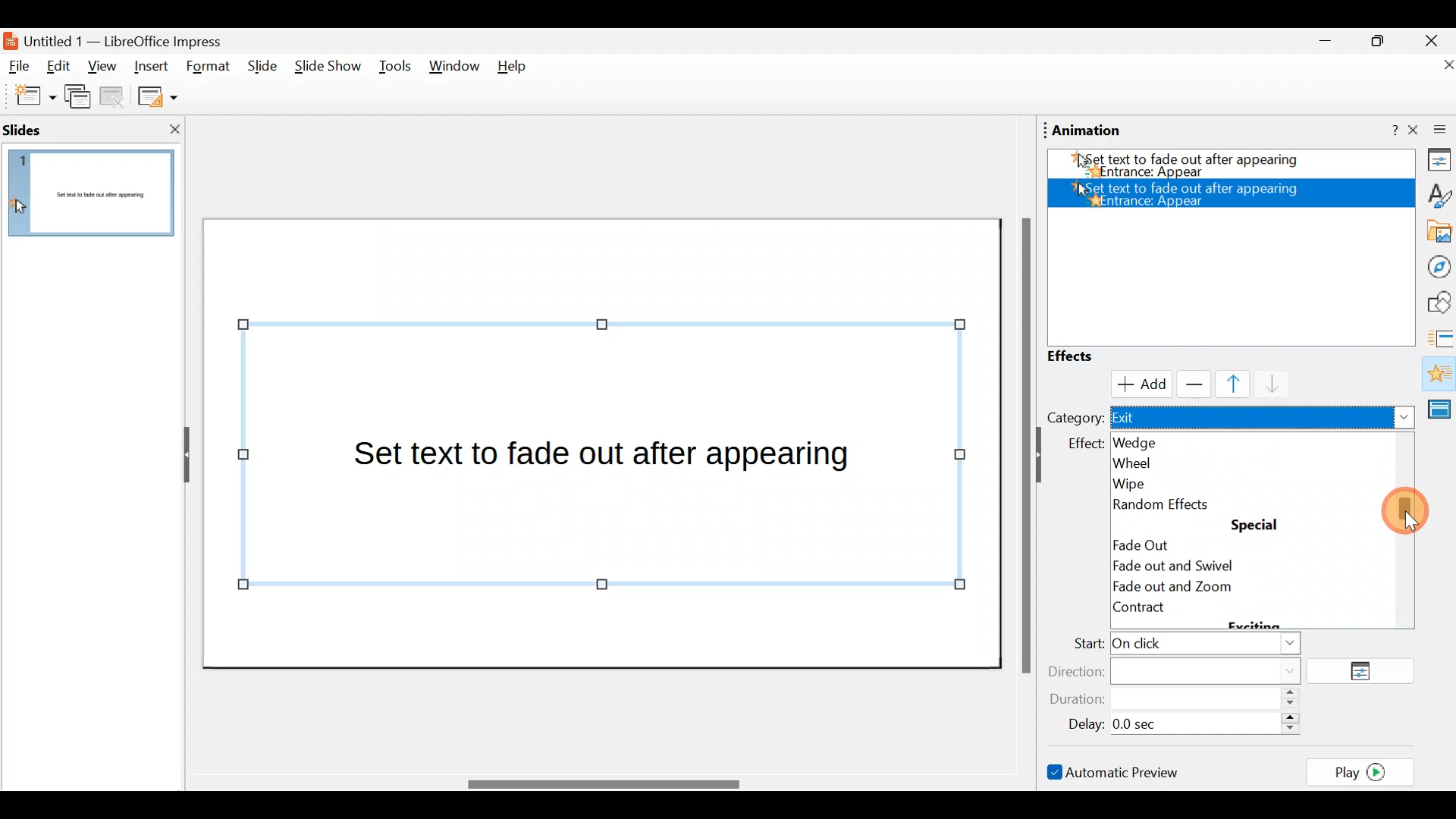 The width and height of the screenshot is (1456, 819). What do you see at coordinates (1383, 41) in the screenshot?
I see `Maximise` at bounding box center [1383, 41].